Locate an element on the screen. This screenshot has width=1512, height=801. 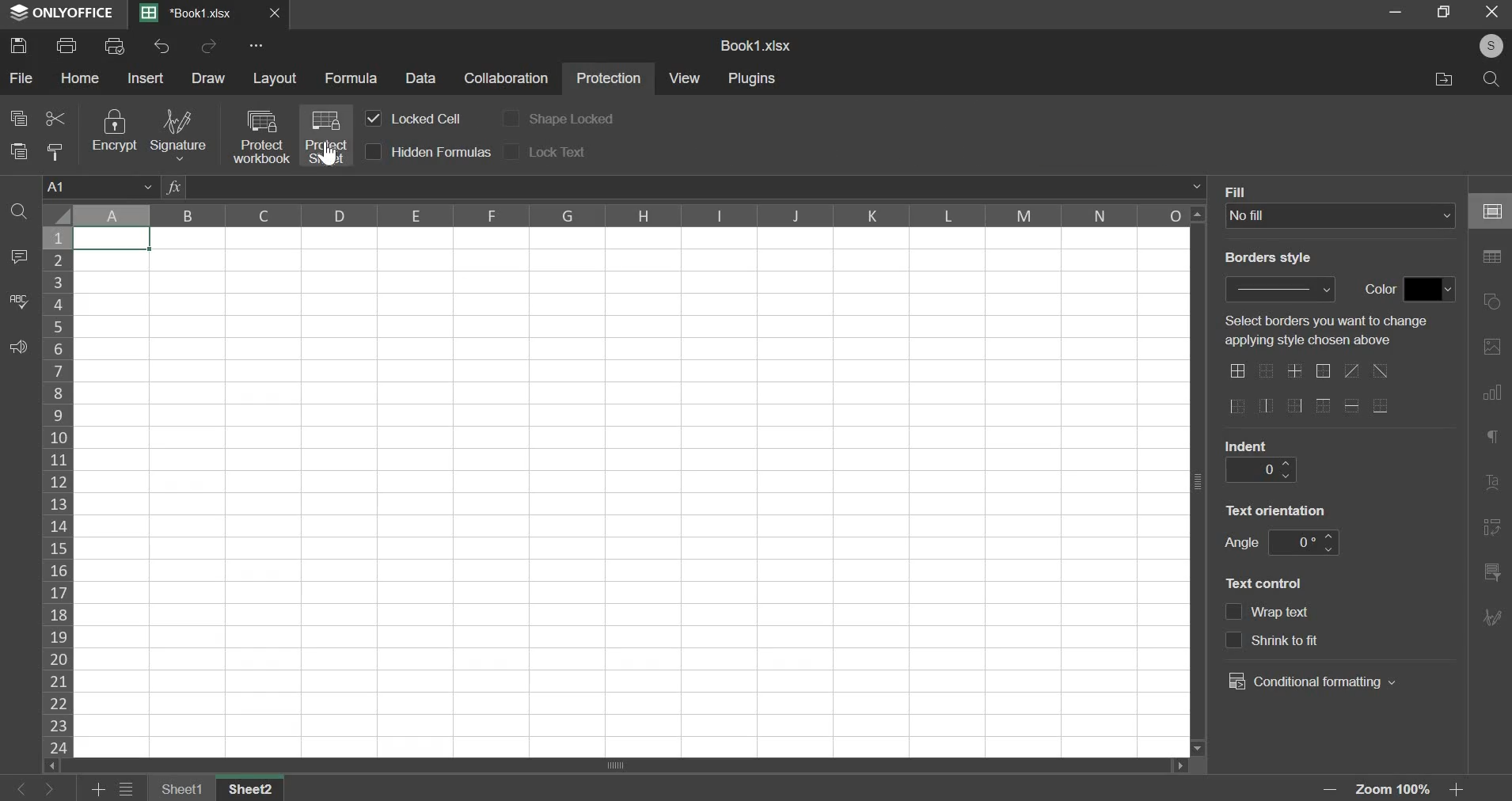
Cursor is located at coordinates (327, 155).